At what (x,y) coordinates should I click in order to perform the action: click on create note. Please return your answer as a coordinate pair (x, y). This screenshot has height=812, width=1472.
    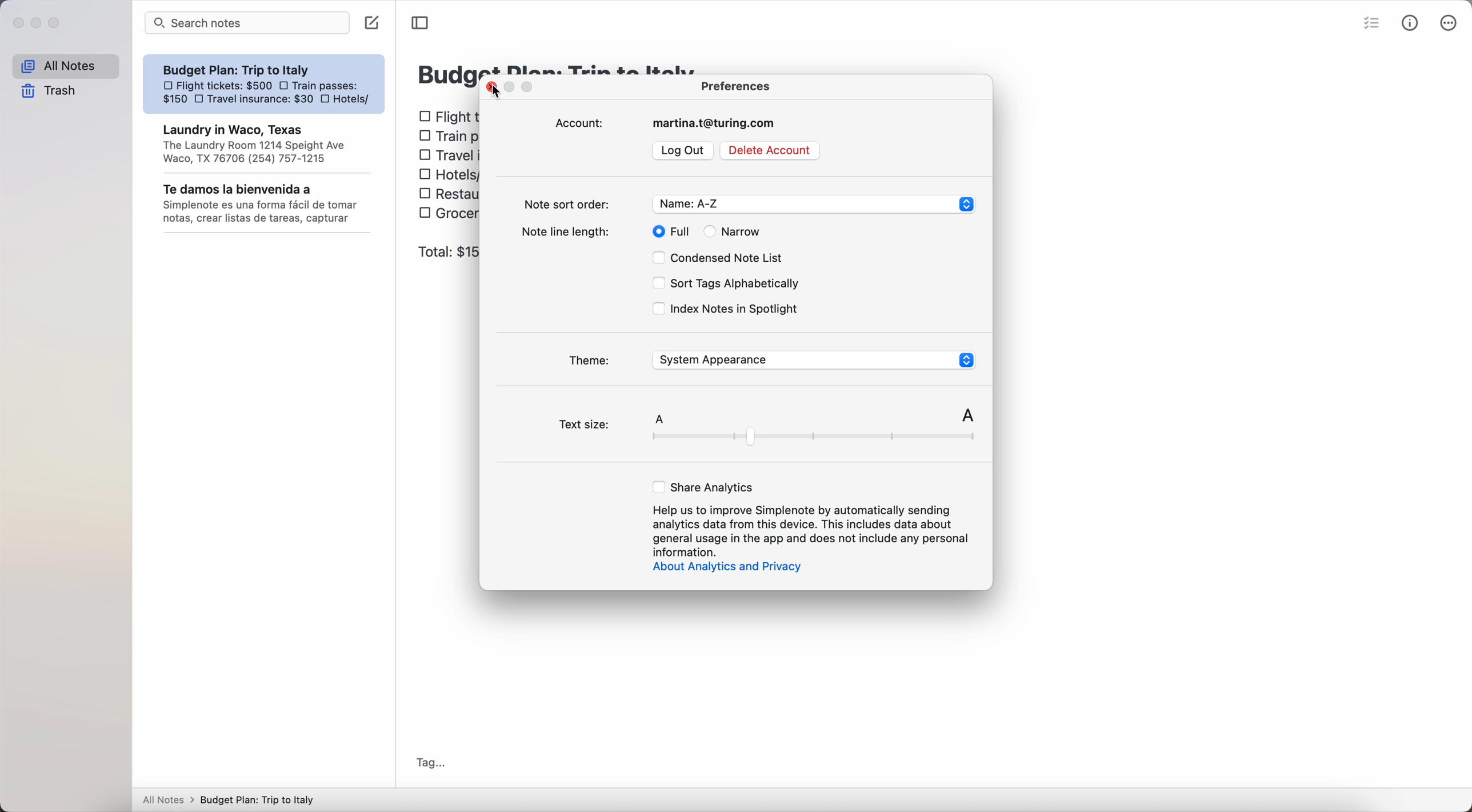
    Looking at the image, I should click on (373, 22).